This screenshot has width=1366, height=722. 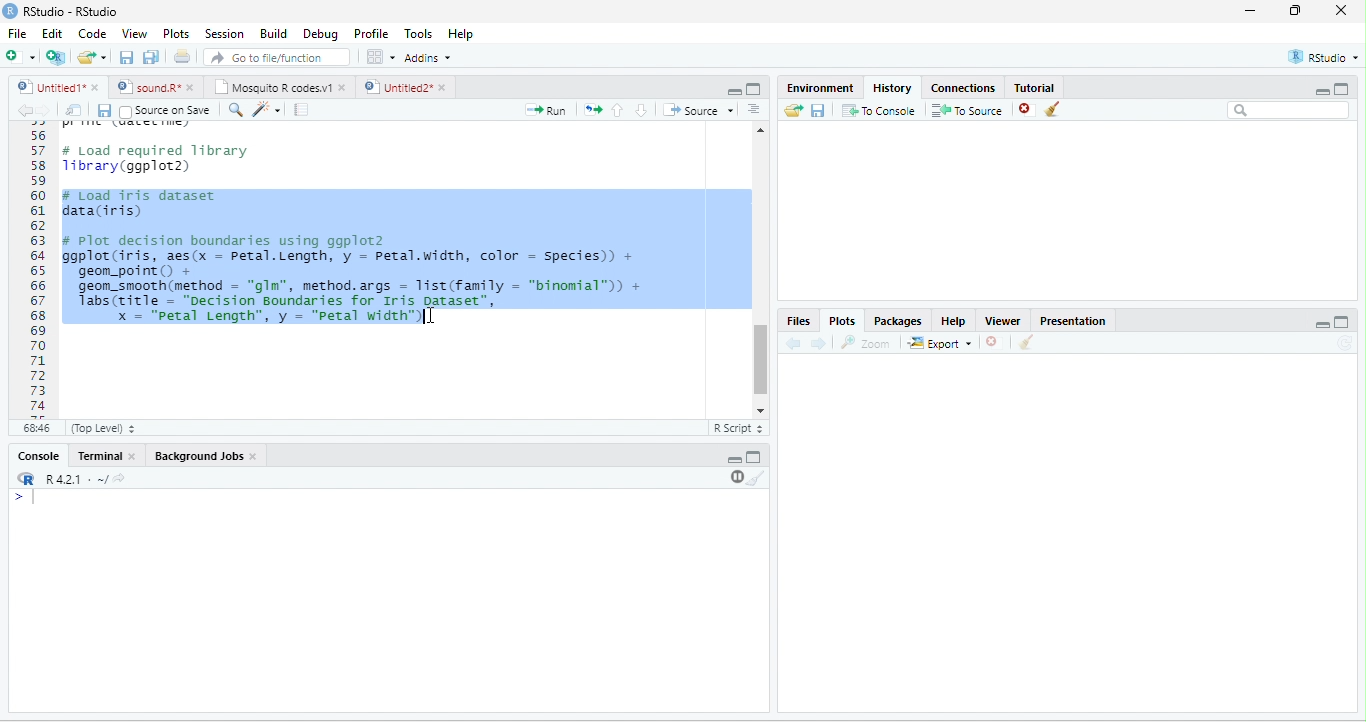 I want to click on Viewer, so click(x=1003, y=321).